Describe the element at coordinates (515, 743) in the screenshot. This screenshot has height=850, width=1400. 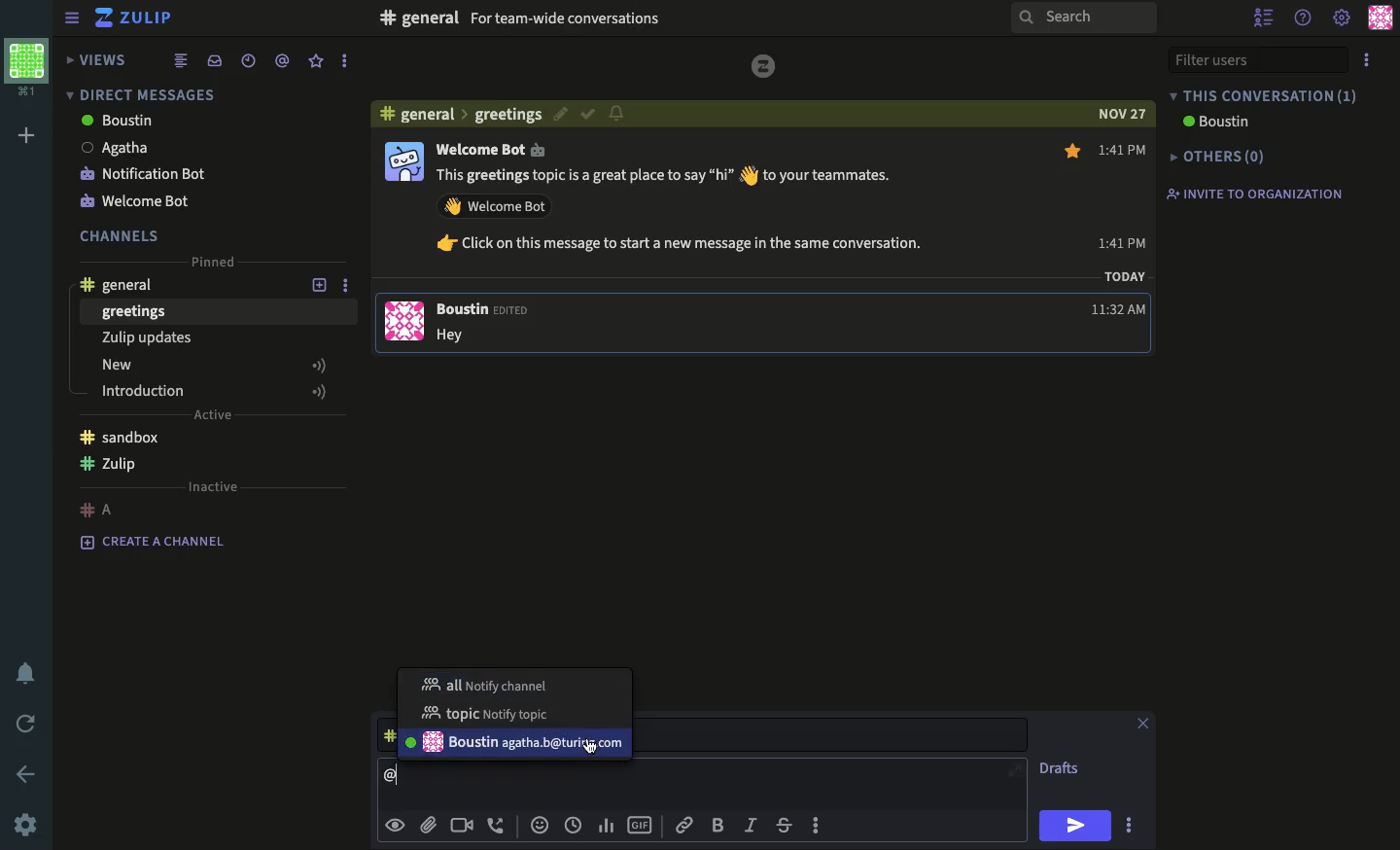
I see `boustin agatha.b@turing.com` at that location.